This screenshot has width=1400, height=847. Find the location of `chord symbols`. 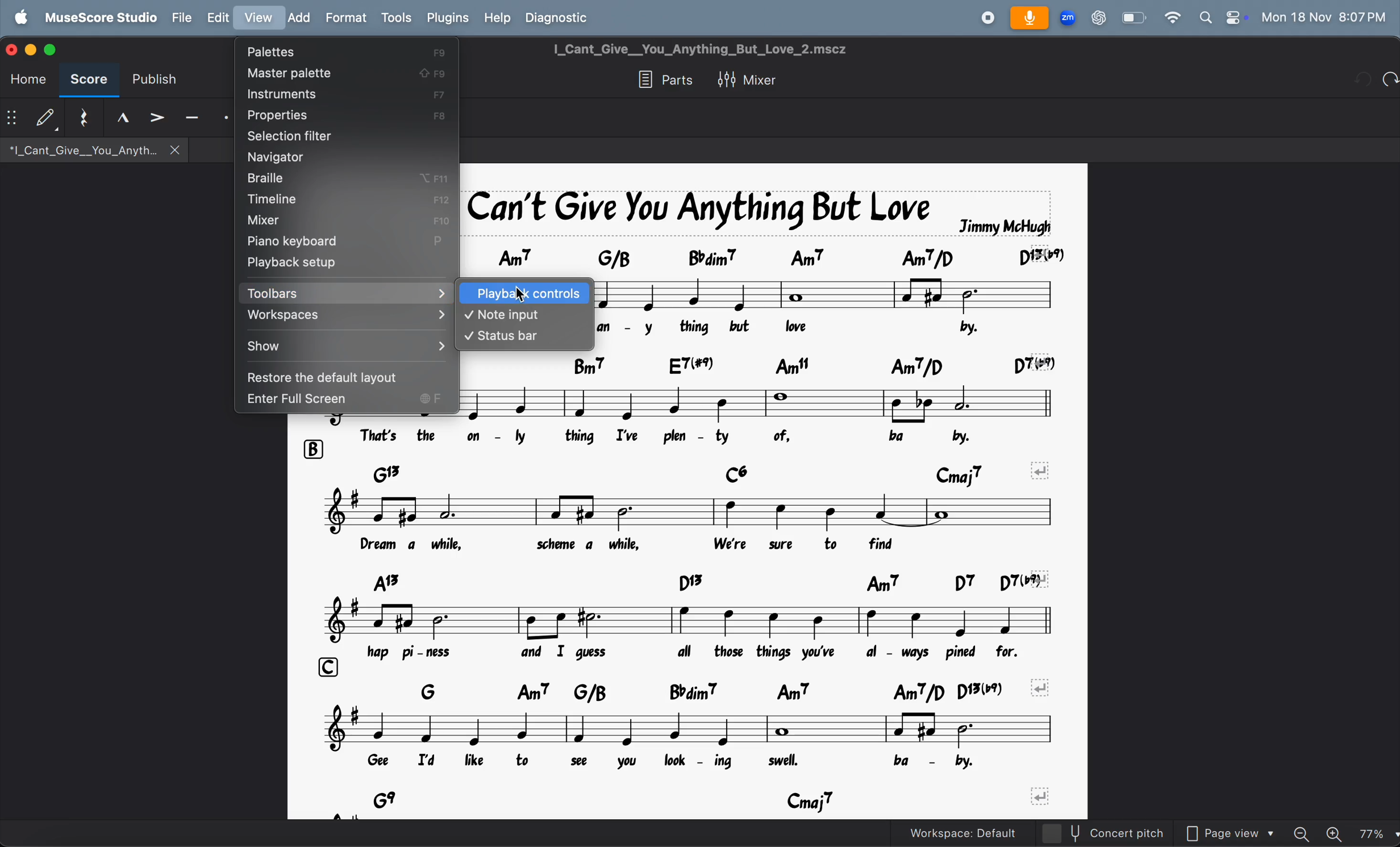

chord symbols is located at coordinates (717, 689).